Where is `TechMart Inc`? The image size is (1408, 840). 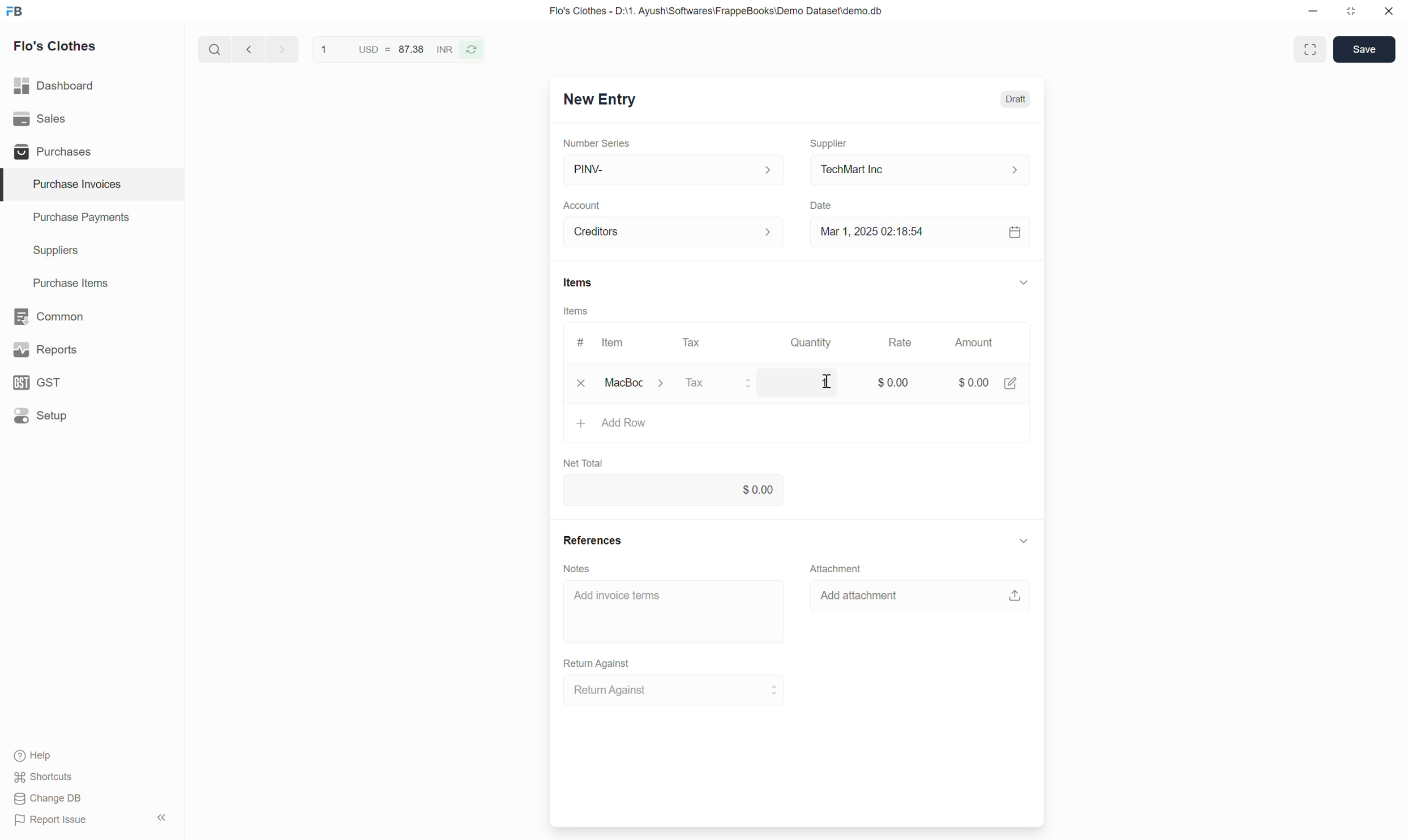
TechMart Inc is located at coordinates (921, 170).